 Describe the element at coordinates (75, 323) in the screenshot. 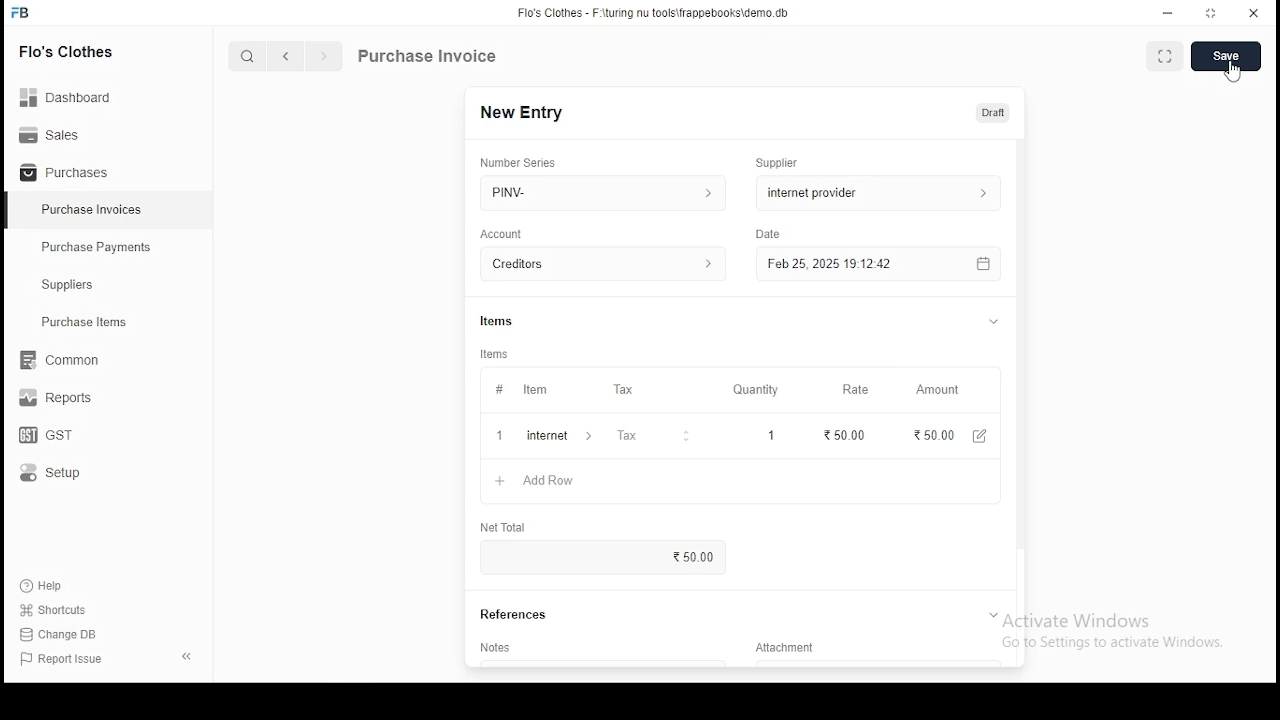

I see `Purchase ltems` at that location.